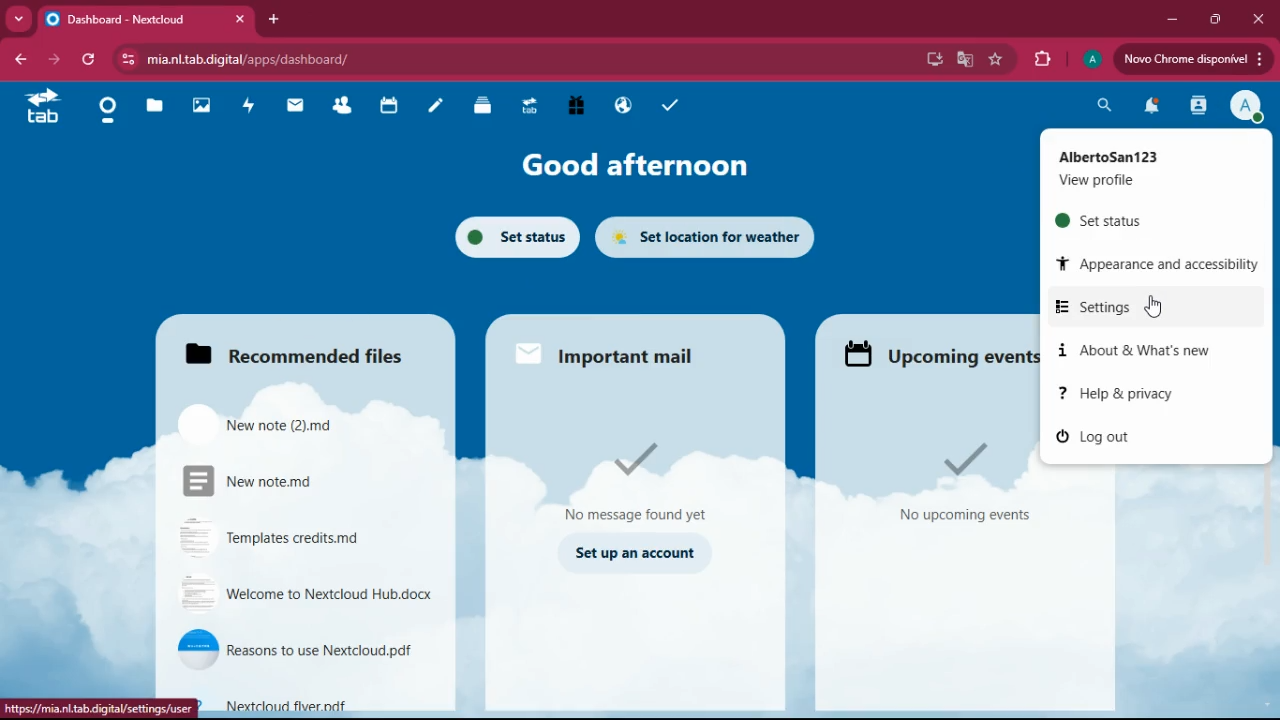  What do you see at coordinates (434, 111) in the screenshot?
I see `notes` at bounding box center [434, 111].